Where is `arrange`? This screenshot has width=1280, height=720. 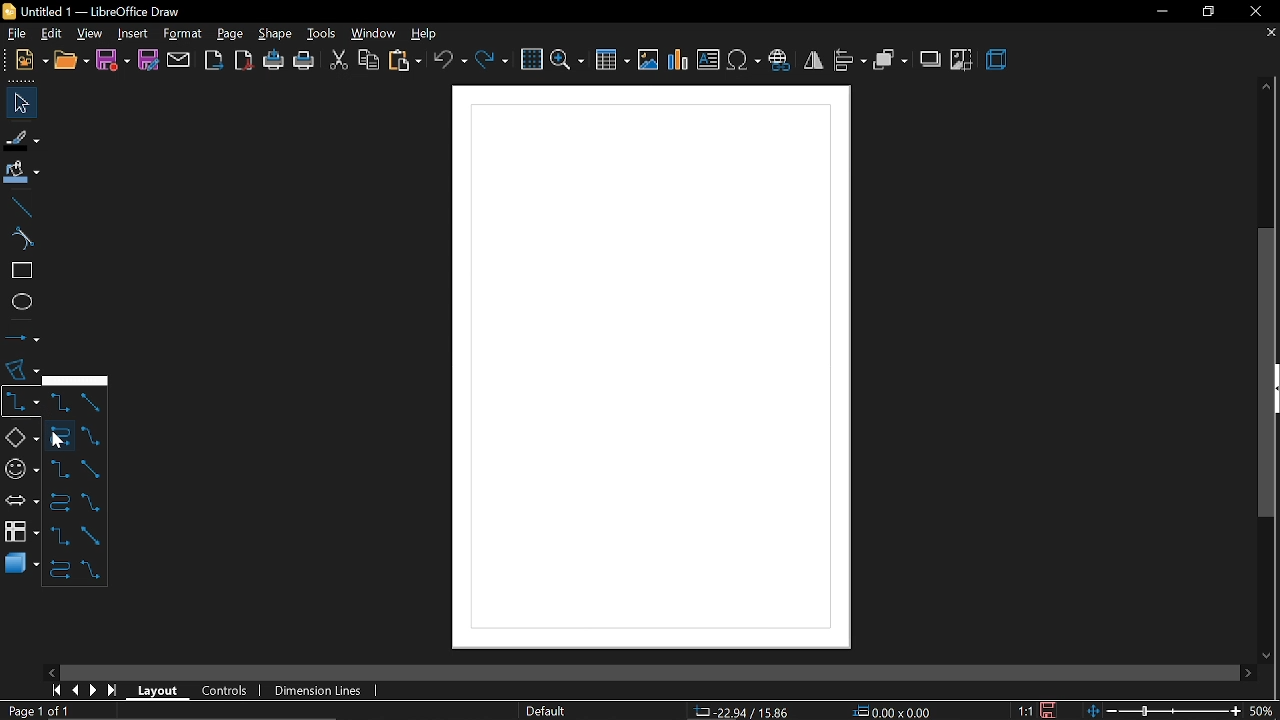 arrange is located at coordinates (890, 60).